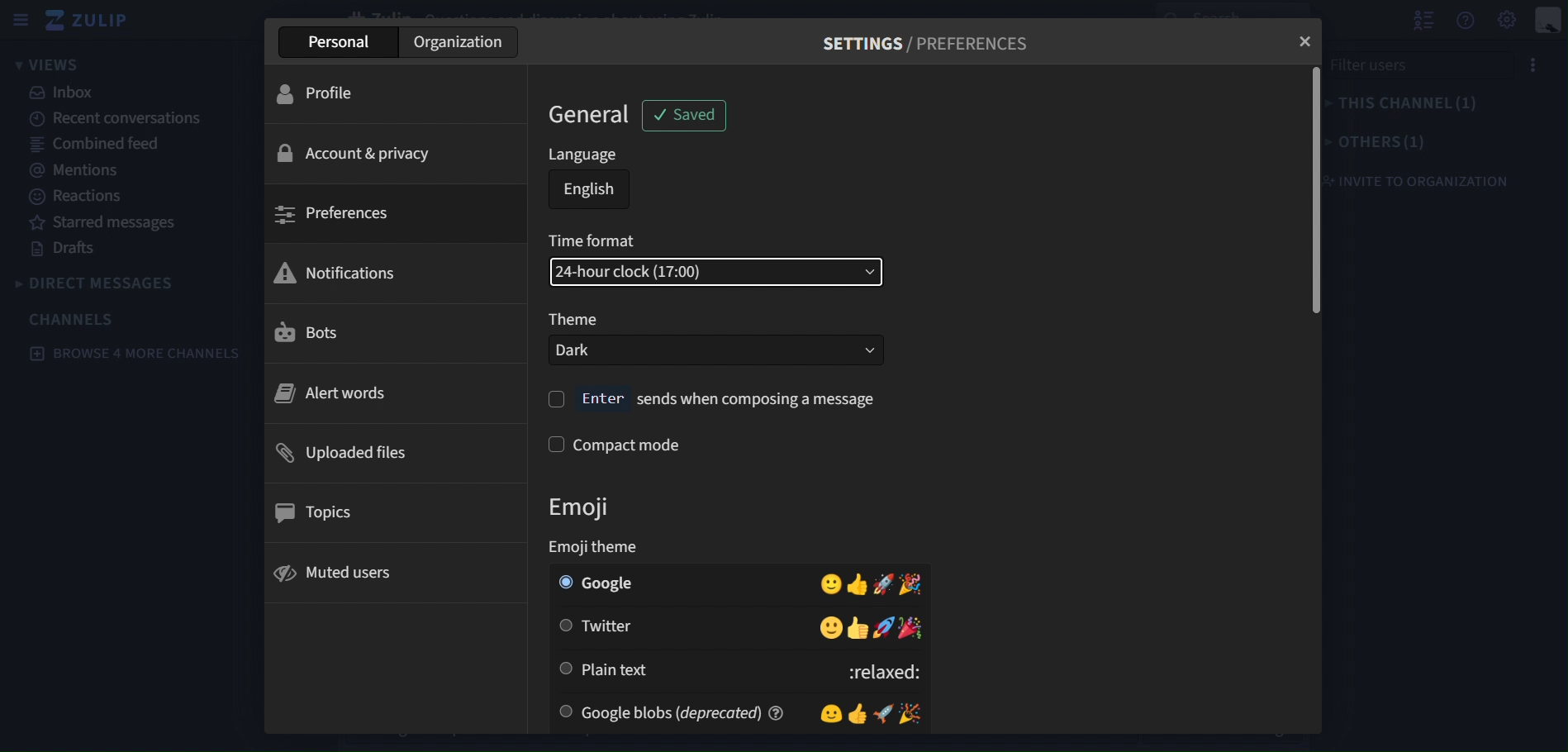  Describe the element at coordinates (337, 42) in the screenshot. I see `Personal` at that location.